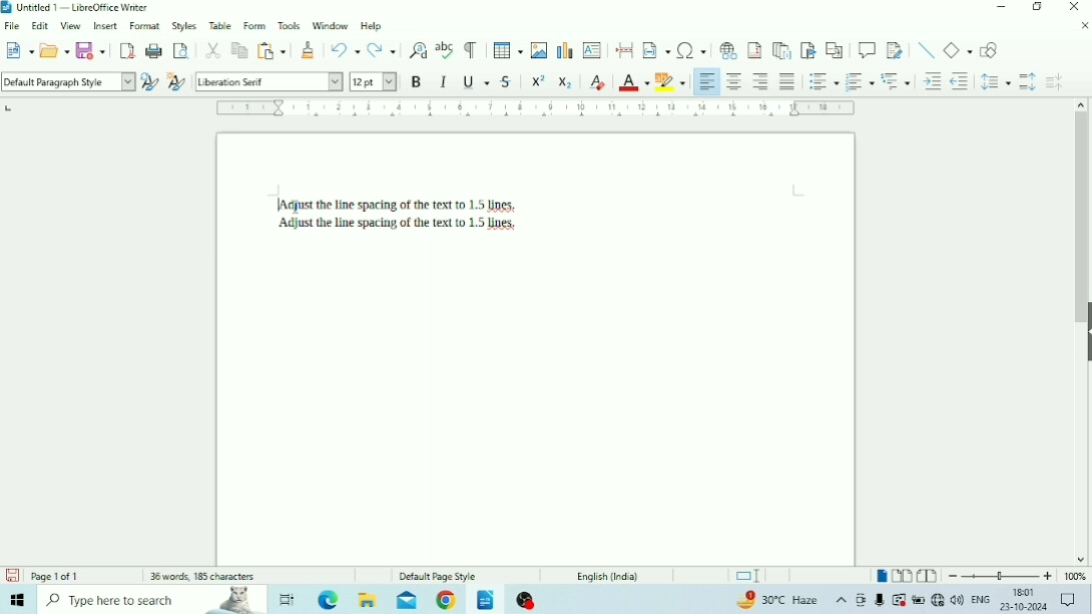 This screenshot has width=1092, height=614. Describe the element at coordinates (417, 82) in the screenshot. I see `Bold` at that location.